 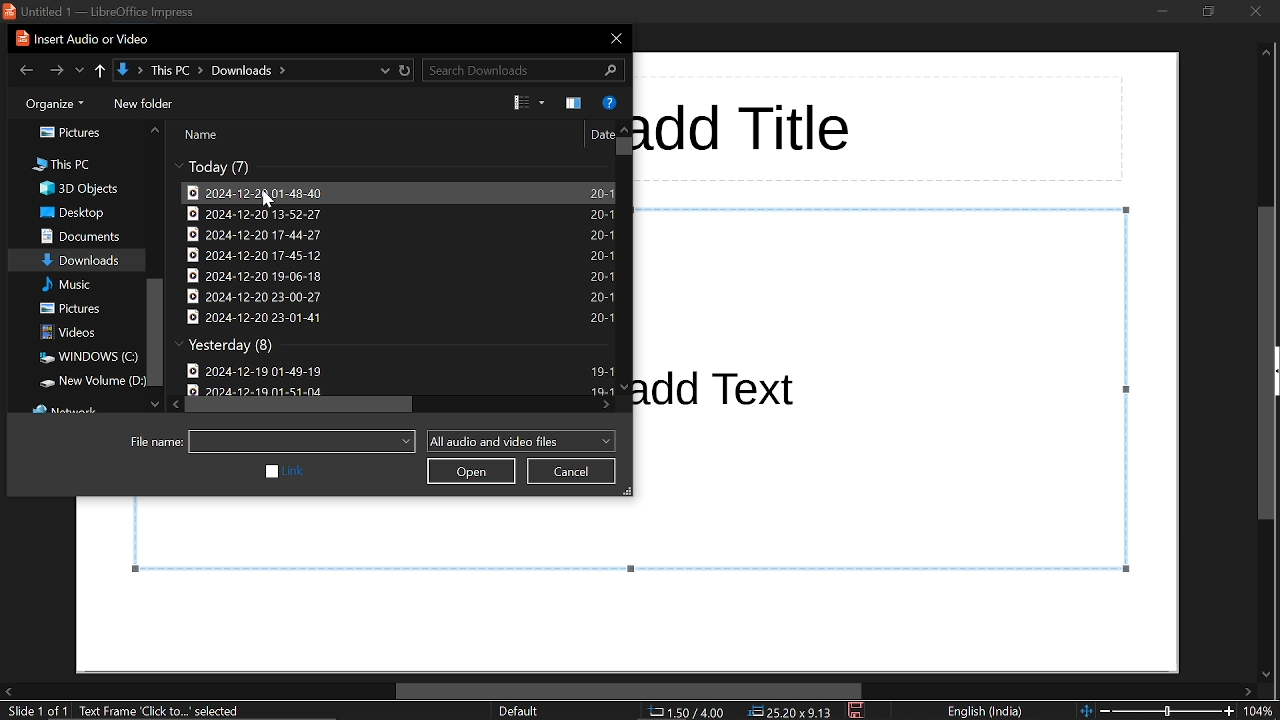 I want to click on move up, so click(x=624, y=128).